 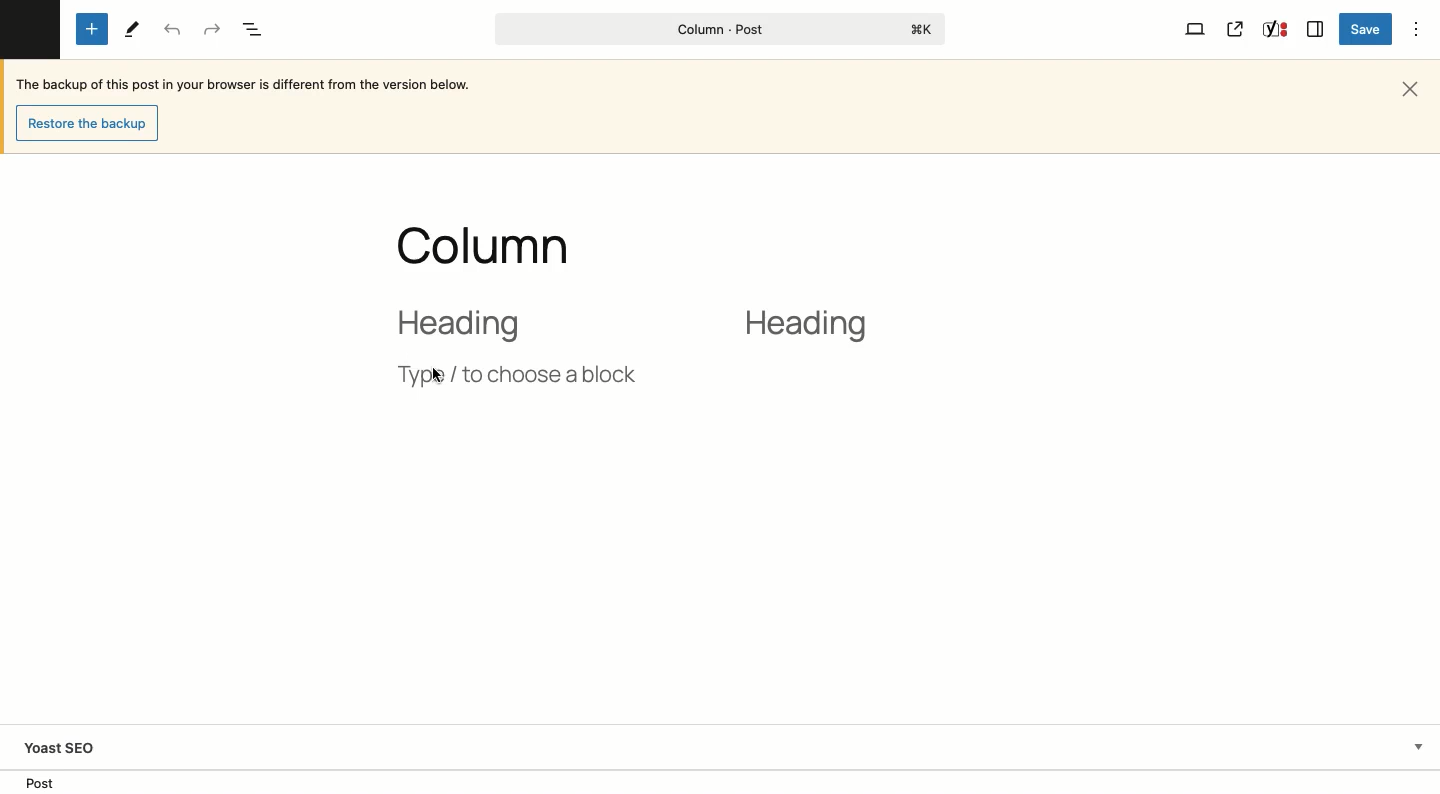 What do you see at coordinates (438, 377) in the screenshot?
I see `cursor` at bounding box center [438, 377].